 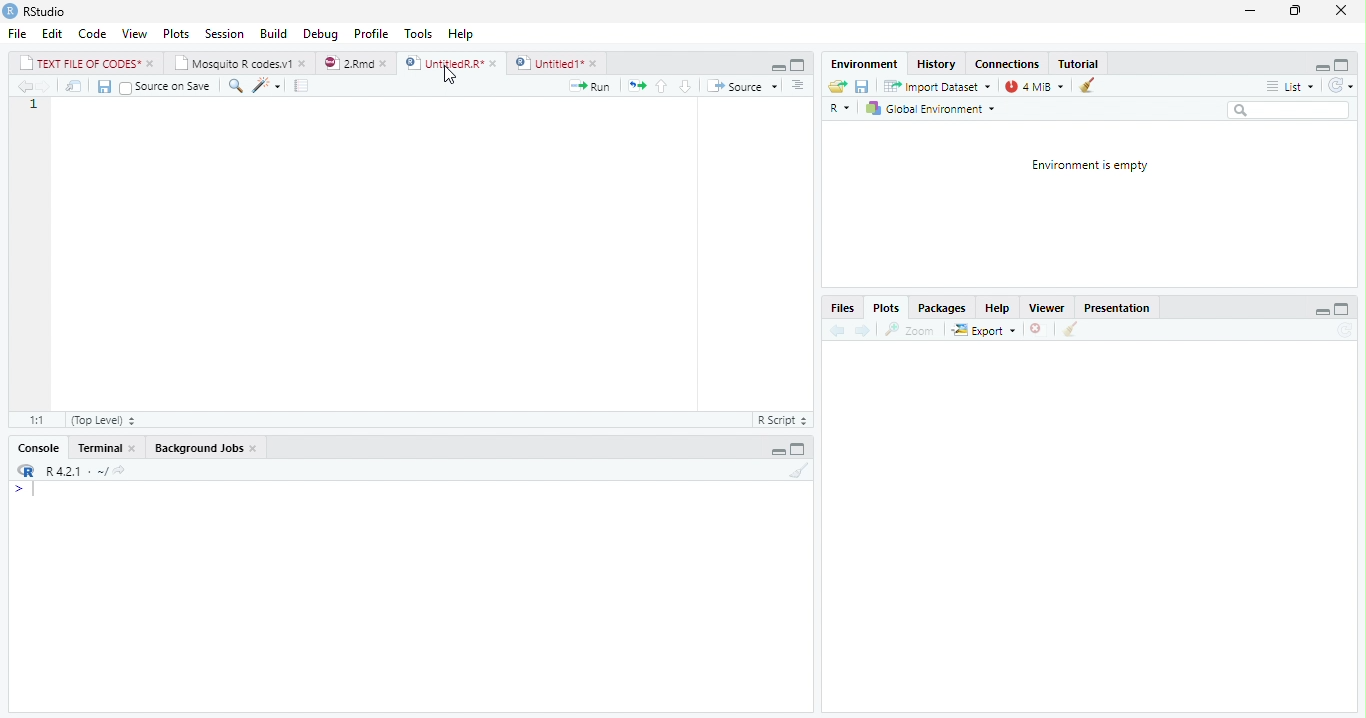 I want to click on Environment, so click(x=864, y=64).